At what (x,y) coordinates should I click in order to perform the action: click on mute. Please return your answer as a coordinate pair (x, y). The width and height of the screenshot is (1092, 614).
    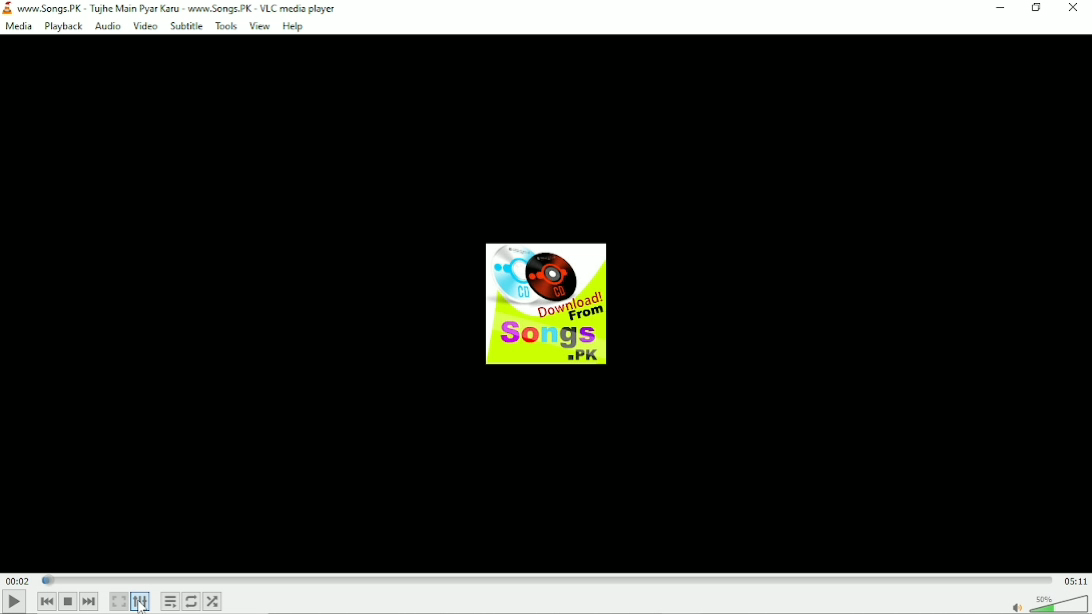
    Looking at the image, I should click on (1017, 606).